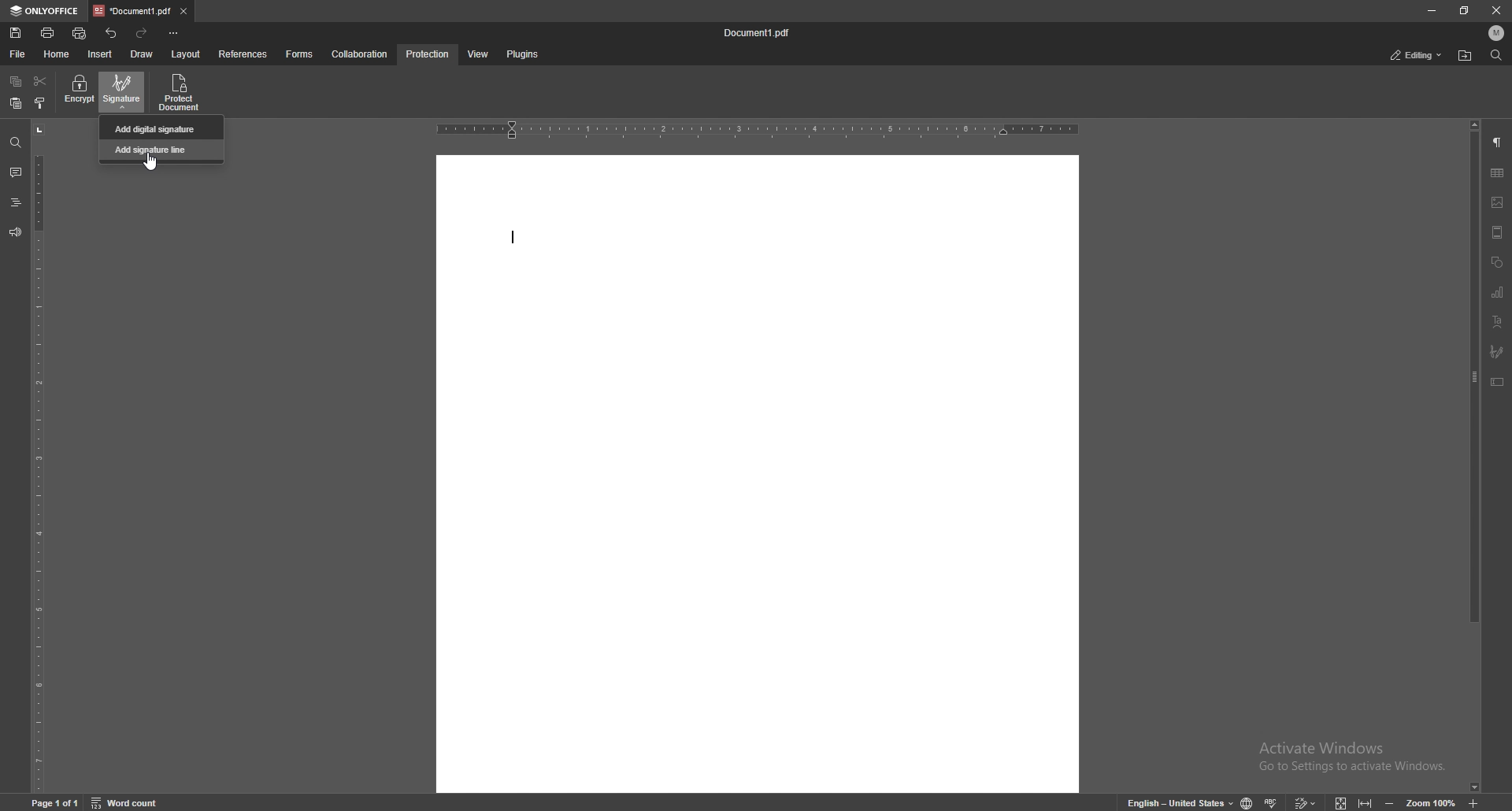 This screenshot has width=1512, height=811. I want to click on forms, so click(301, 54).